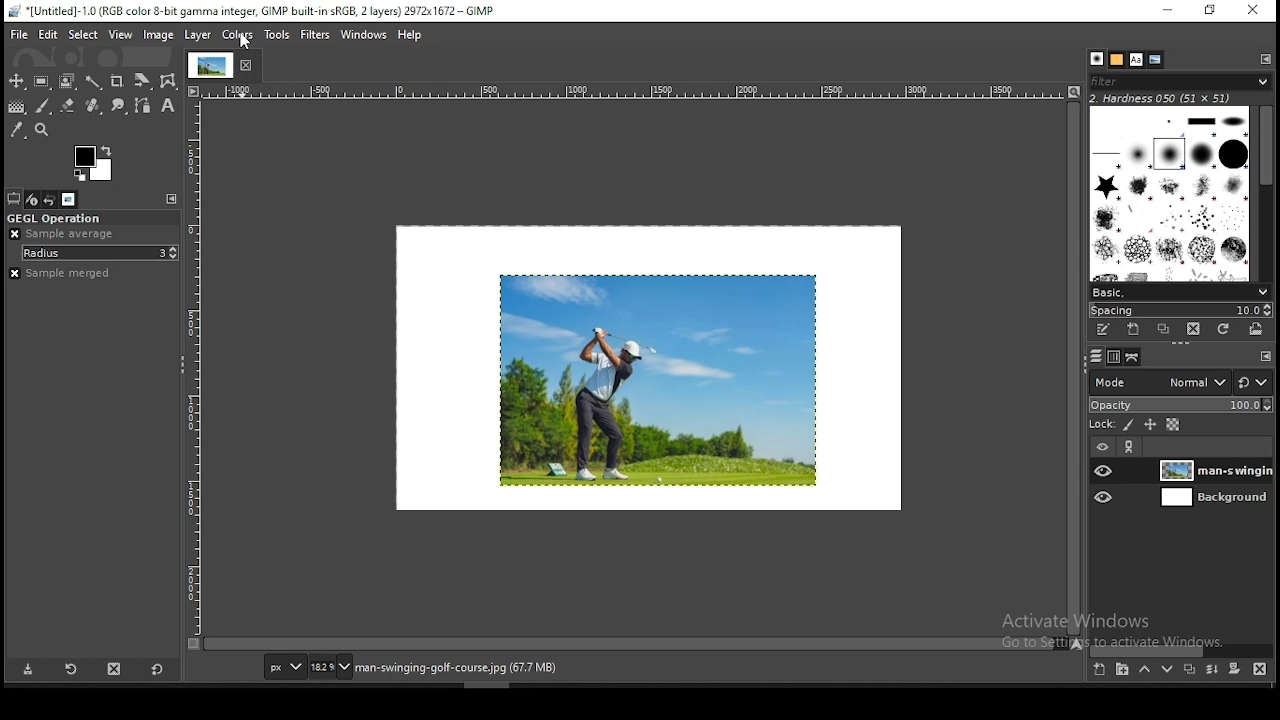 The width and height of the screenshot is (1280, 720). Describe the element at coordinates (314, 35) in the screenshot. I see `filters` at that location.